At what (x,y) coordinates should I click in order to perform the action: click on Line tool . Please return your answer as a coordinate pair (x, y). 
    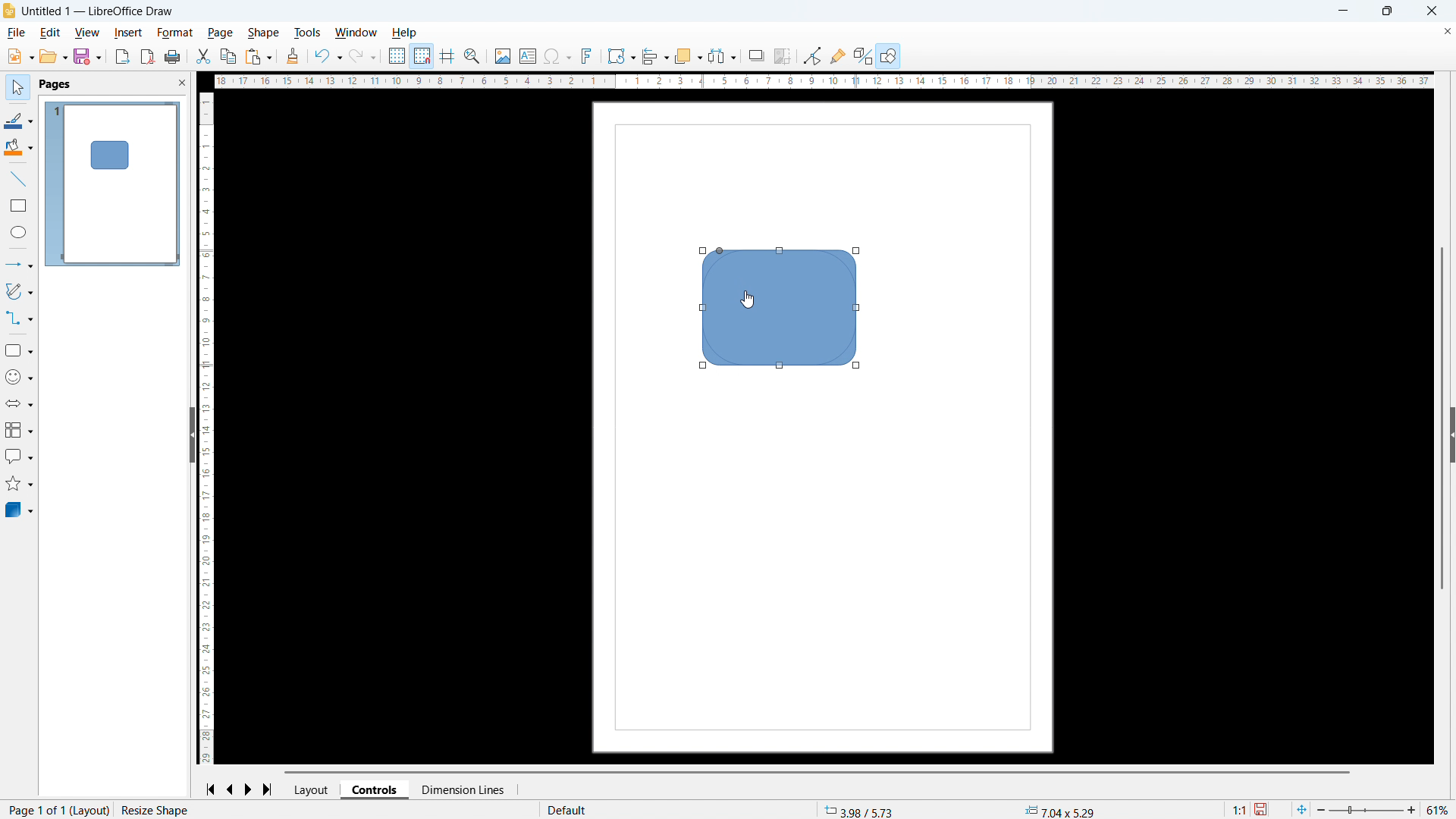
    Looking at the image, I should click on (17, 179).